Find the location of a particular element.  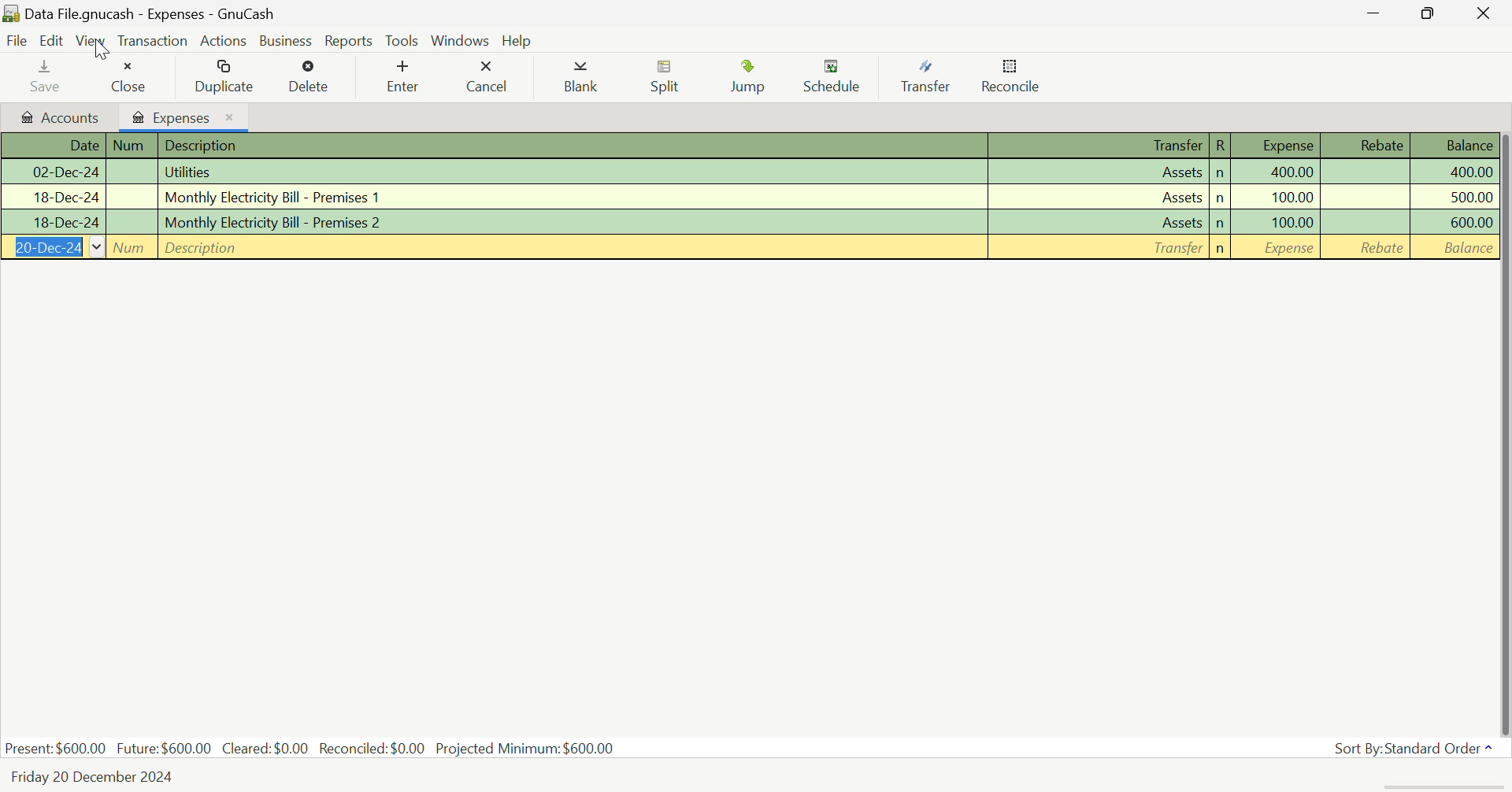

Num is located at coordinates (132, 146).